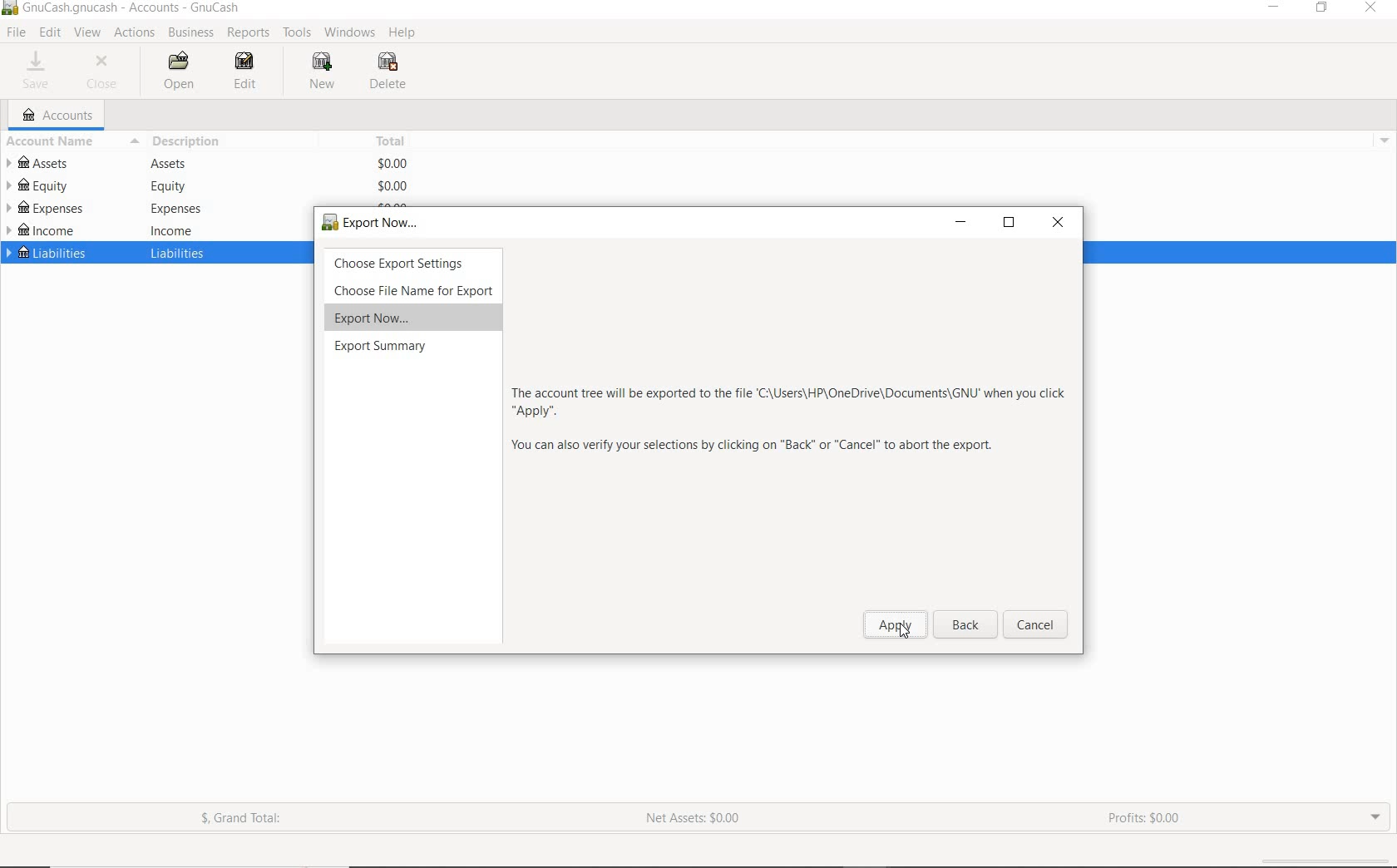  What do you see at coordinates (22, 37) in the screenshot?
I see `cursor` at bounding box center [22, 37].